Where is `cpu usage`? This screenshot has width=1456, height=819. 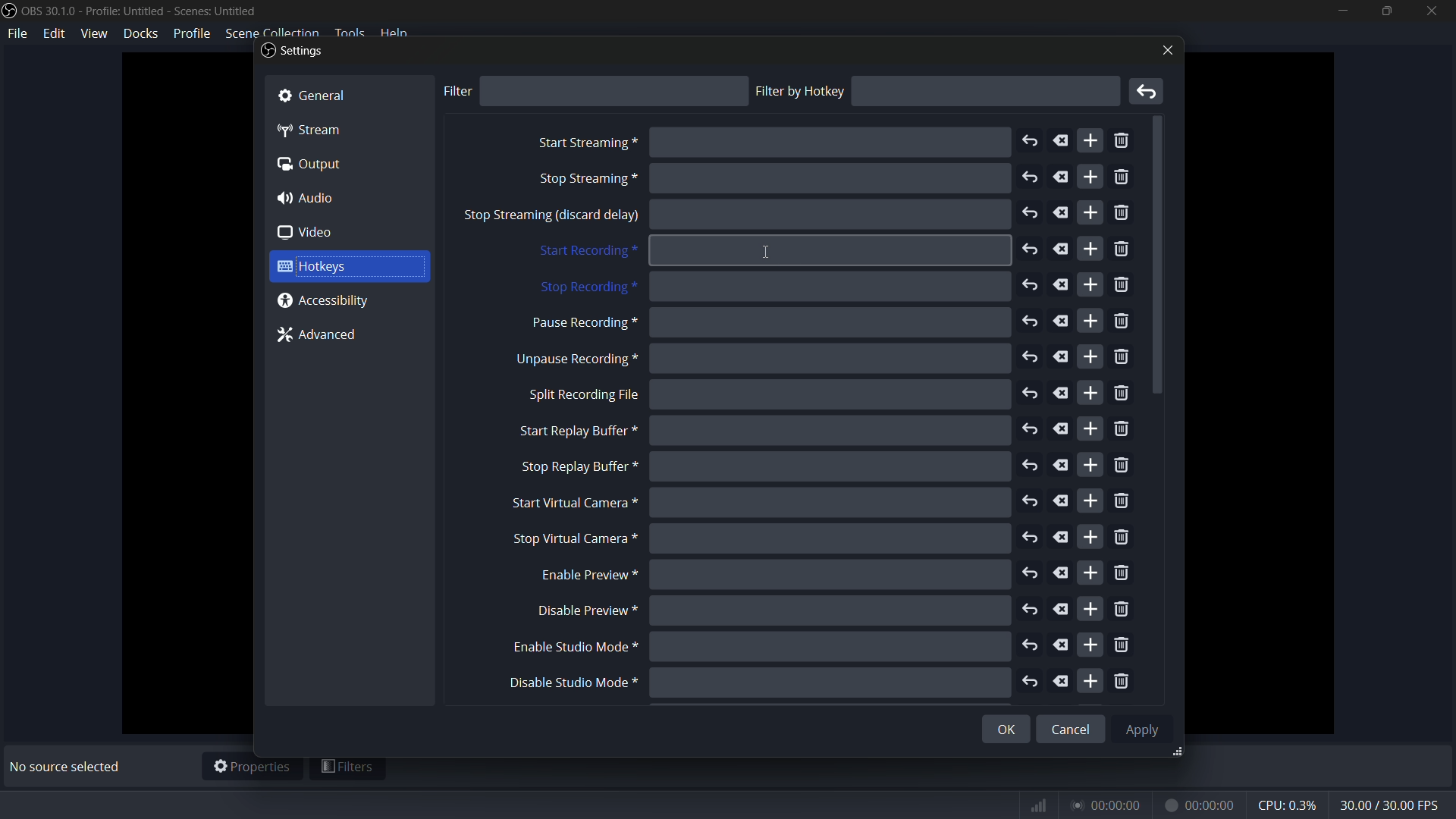
cpu usage is located at coordinates (1289, 805).